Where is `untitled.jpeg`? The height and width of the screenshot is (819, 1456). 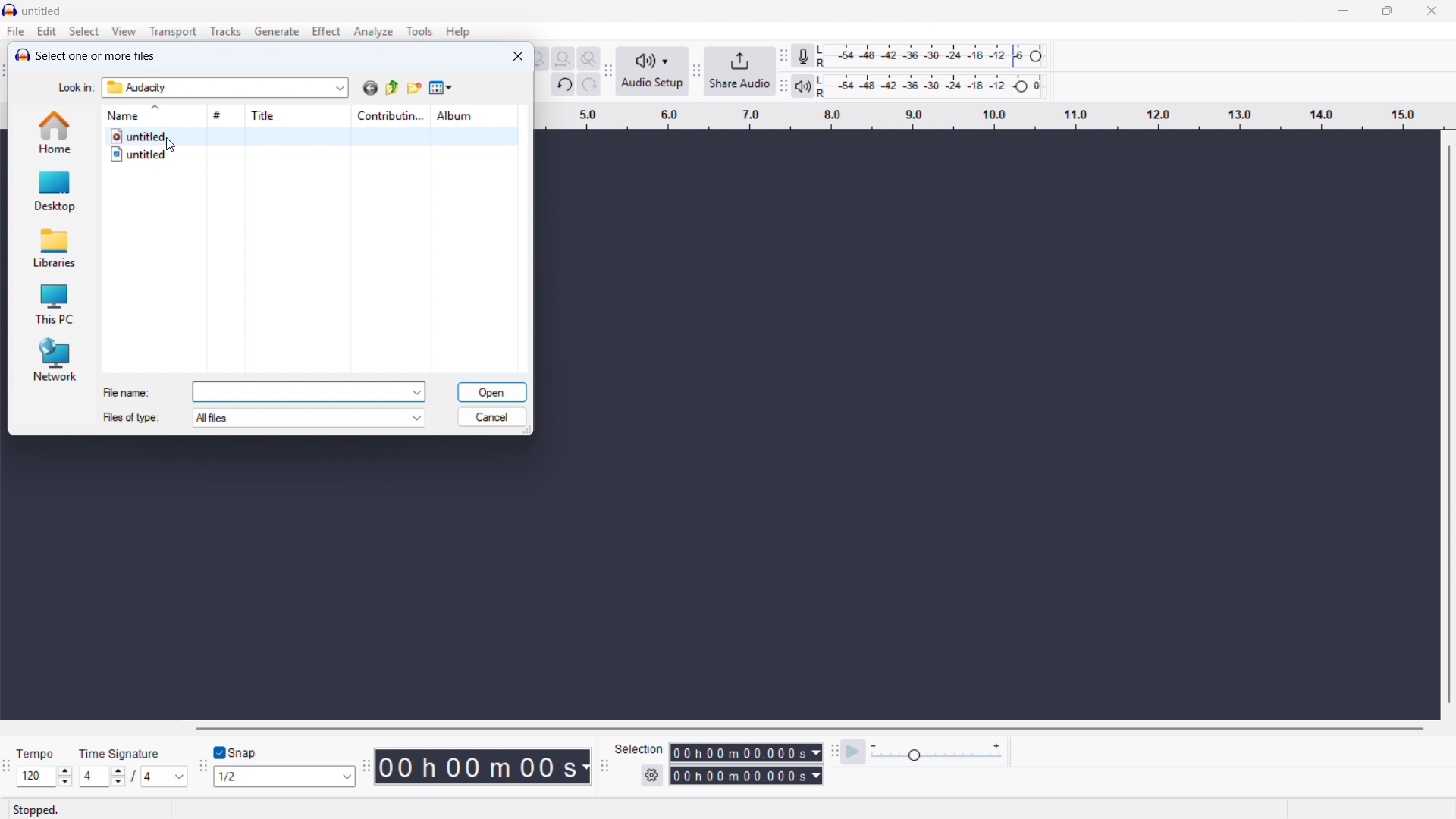
untitled.jpeg is located at coordinates (311, 155).